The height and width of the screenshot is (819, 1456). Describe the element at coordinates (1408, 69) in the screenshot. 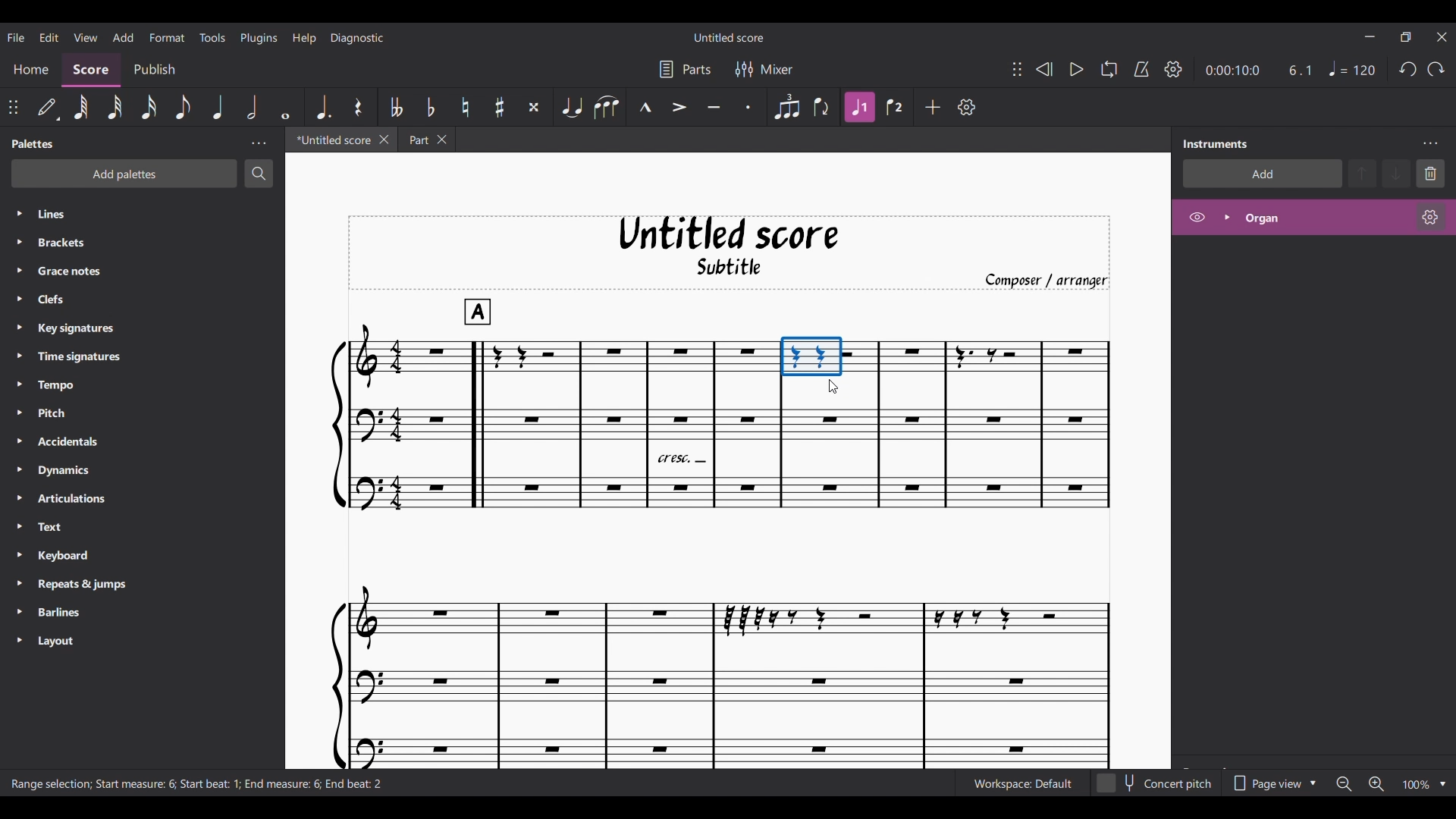

I see `Undo` at that location.